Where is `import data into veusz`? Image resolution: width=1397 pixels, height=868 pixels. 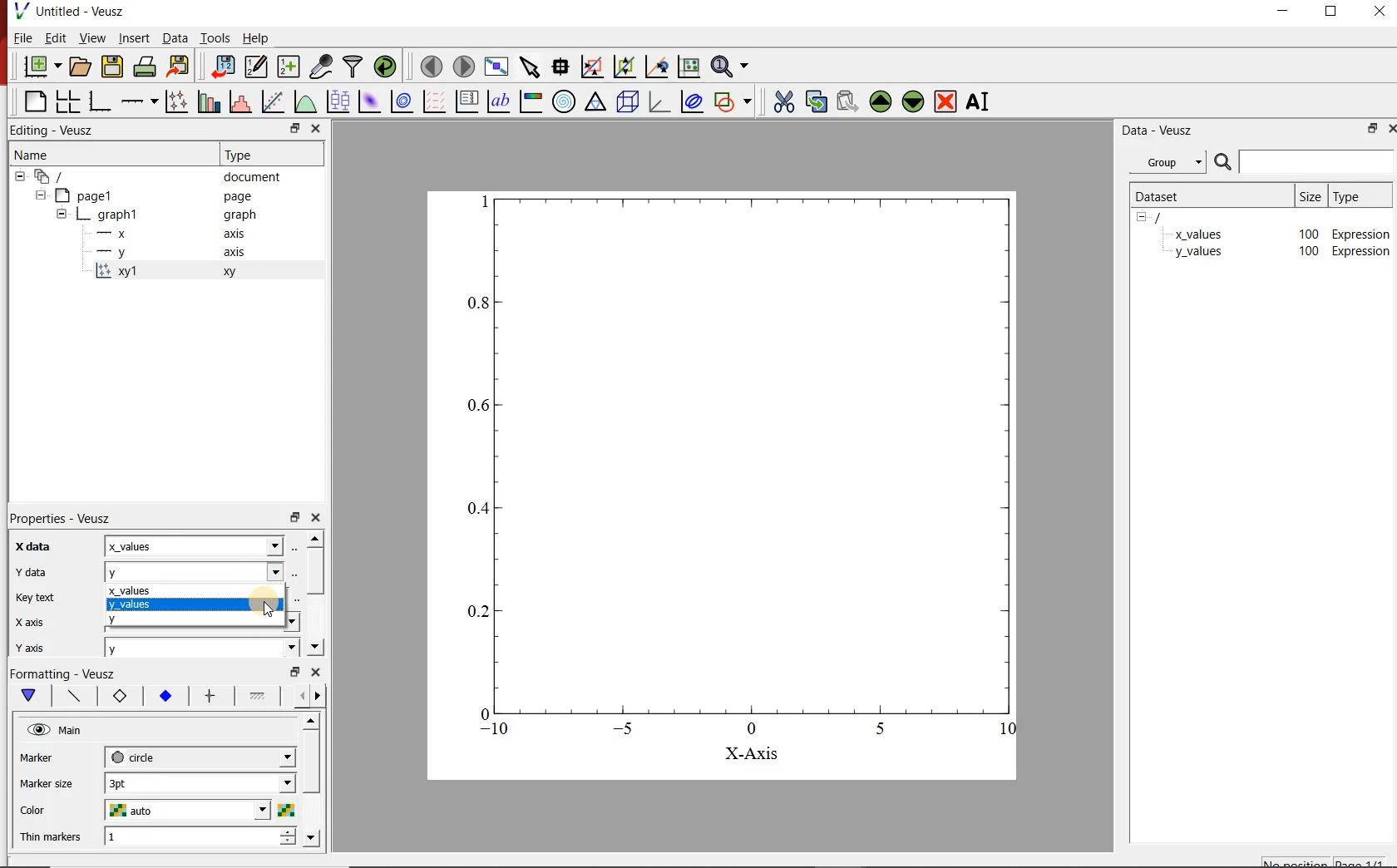 import data into veusz is located at coordinates (223, 67).